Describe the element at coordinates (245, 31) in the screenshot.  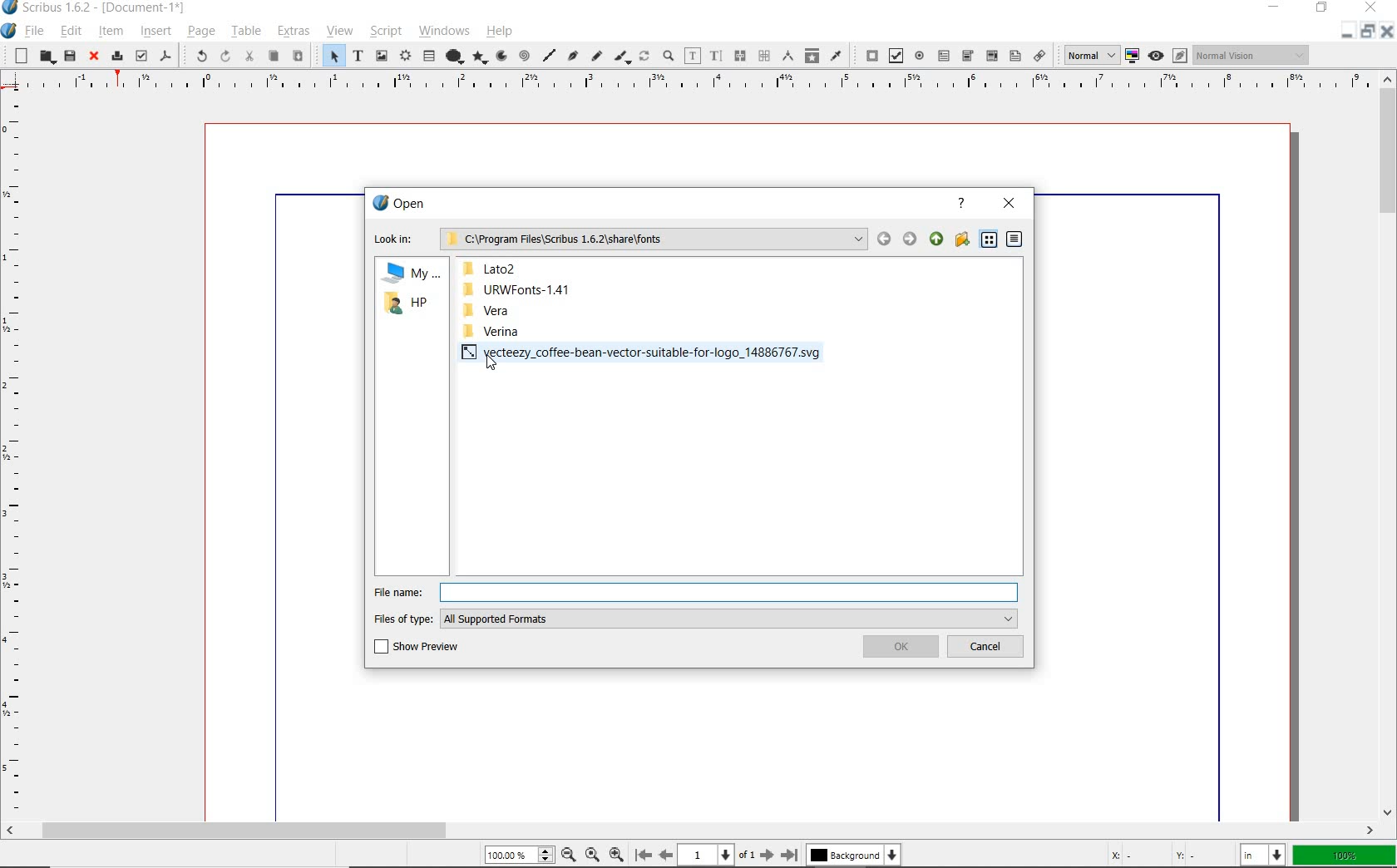
I see `table` at that location.